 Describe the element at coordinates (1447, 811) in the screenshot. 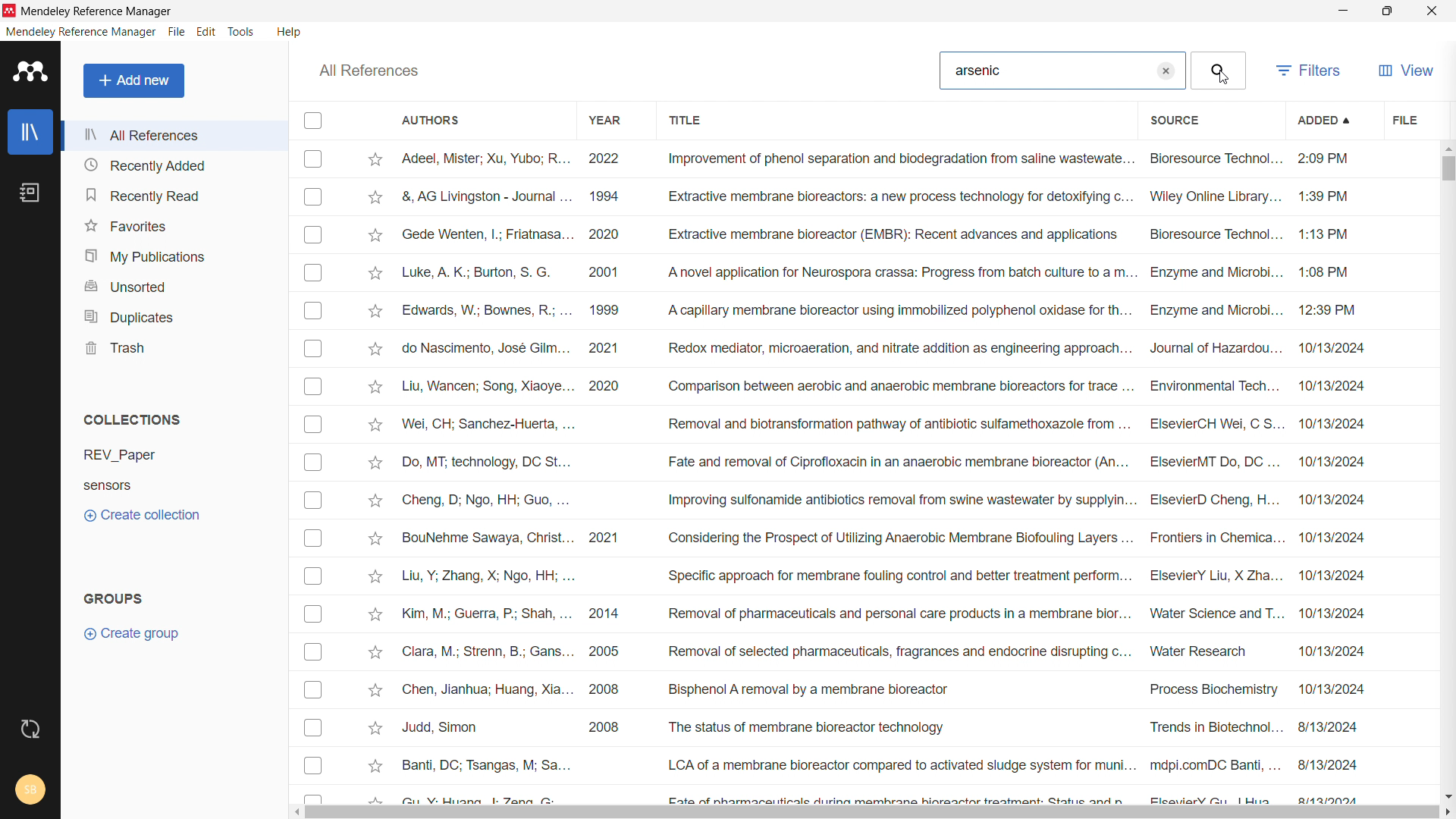

I see `scroll right` at that location.